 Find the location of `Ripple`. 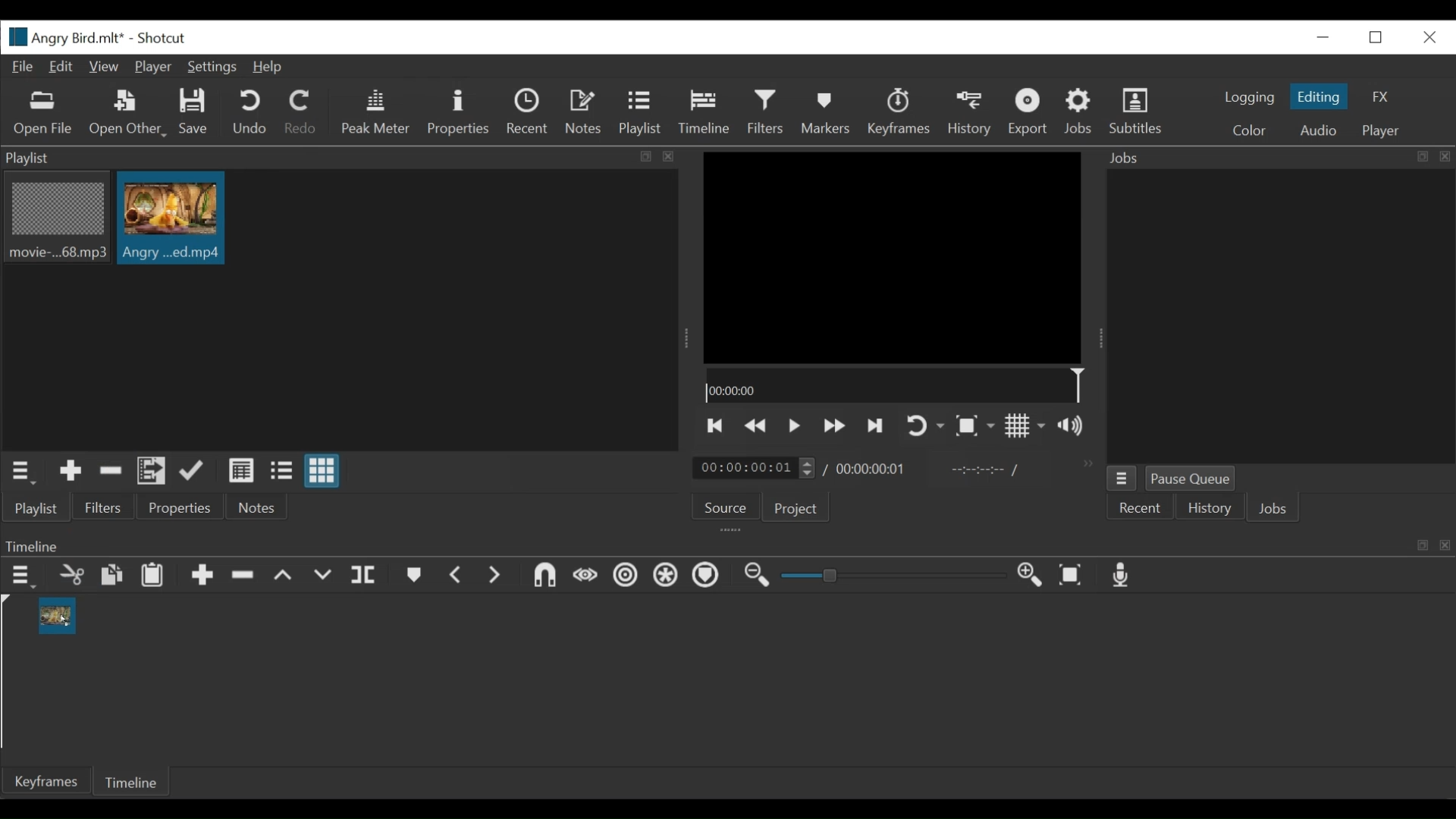

Ripple is located at coordinates (626, 578).